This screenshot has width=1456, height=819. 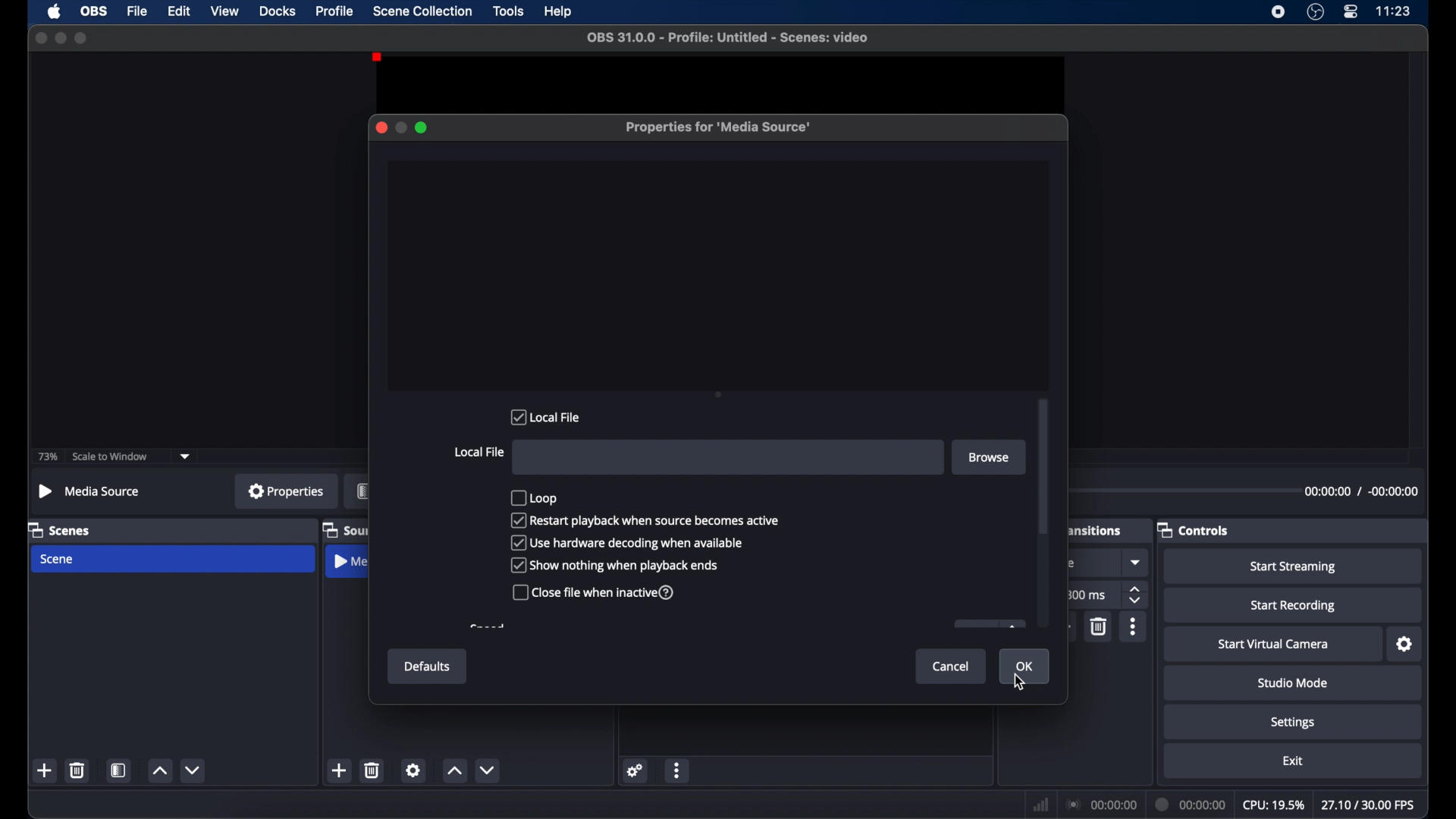 I want to click on delete, so click(x=77, y=770).